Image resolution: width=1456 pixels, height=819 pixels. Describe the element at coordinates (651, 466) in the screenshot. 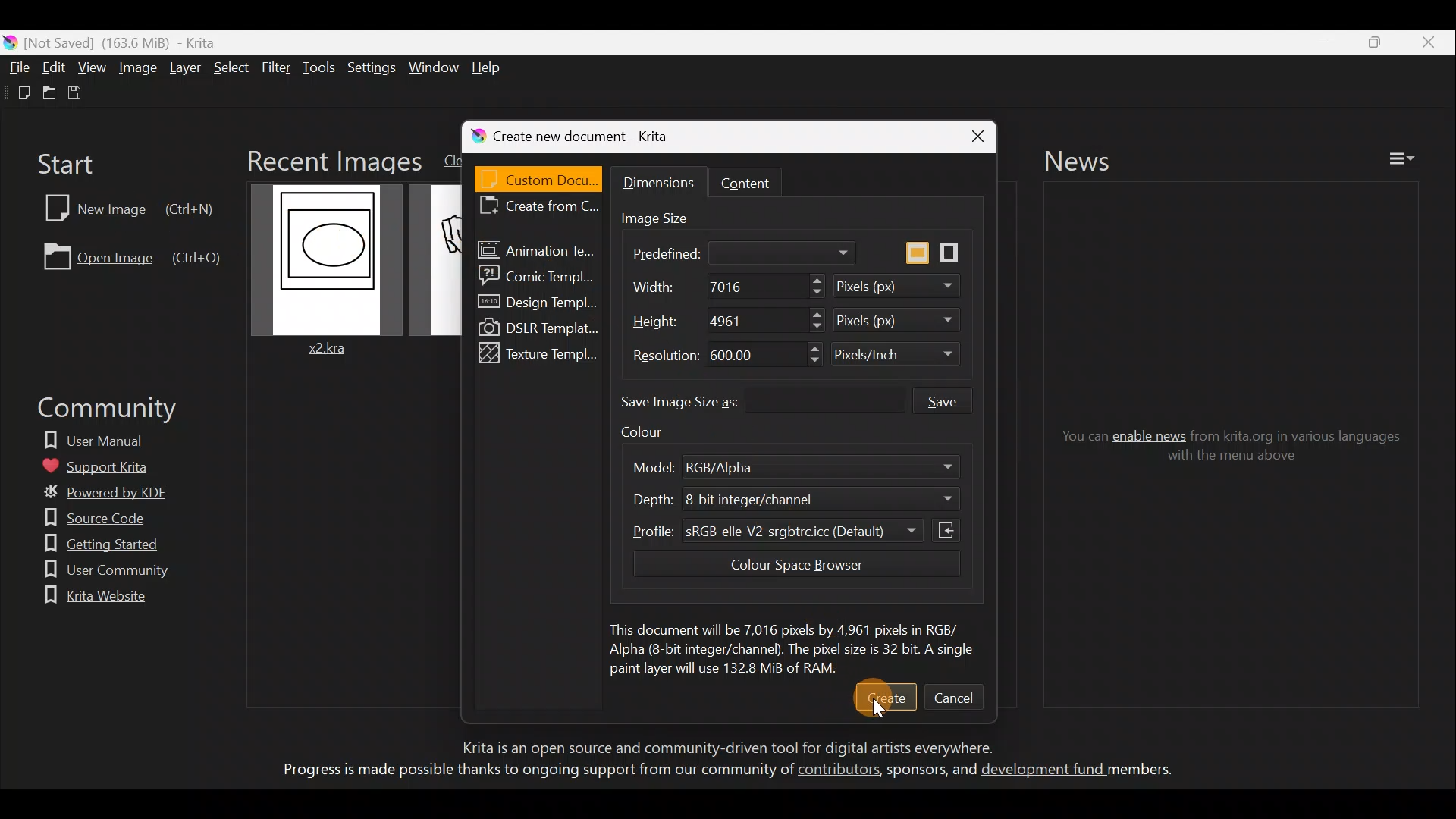

I see `Model` at that location.